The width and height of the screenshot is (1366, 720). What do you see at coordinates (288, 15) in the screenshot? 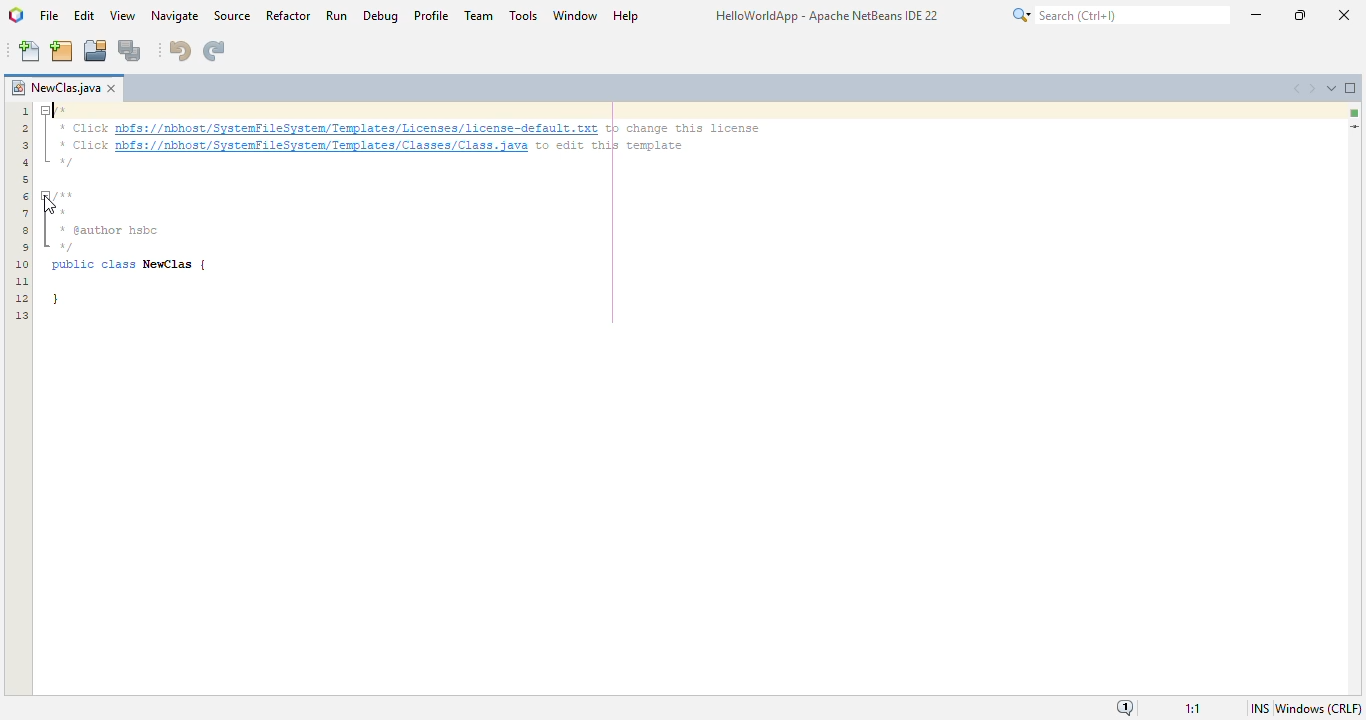
I see `refactor` at bounding box center [288, 15].